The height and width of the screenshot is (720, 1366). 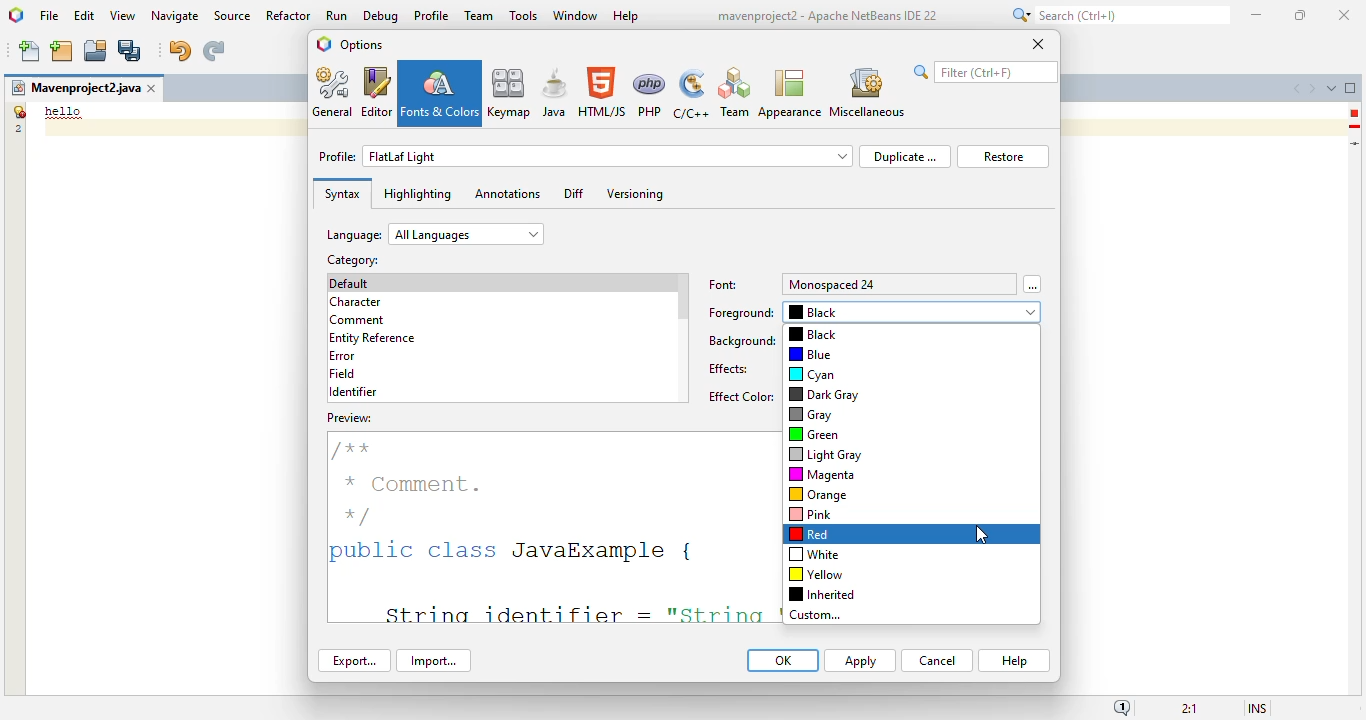 I want to click on default, so click(x=350, y=283).